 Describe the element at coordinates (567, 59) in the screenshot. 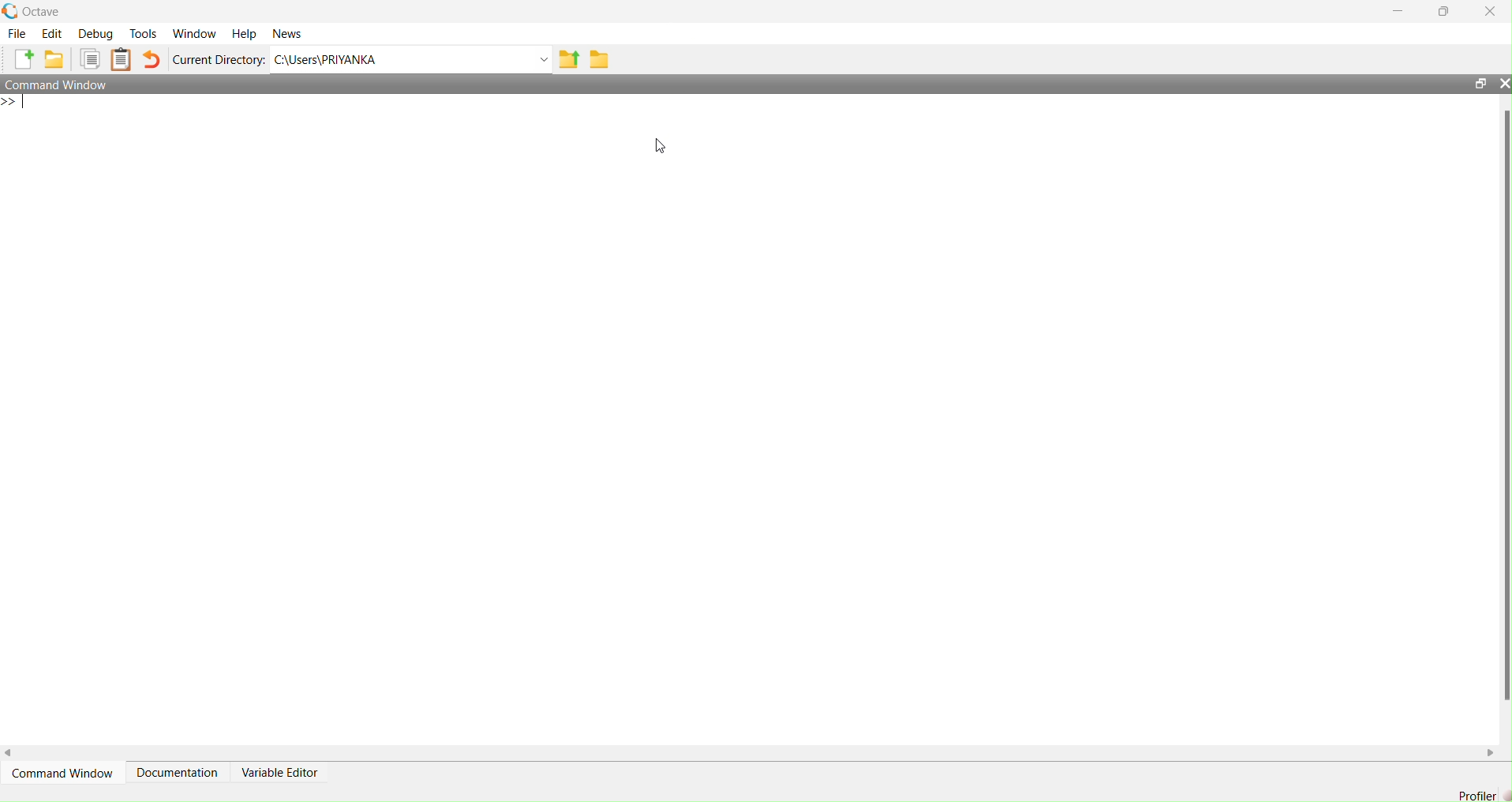

I see `export` at that location.